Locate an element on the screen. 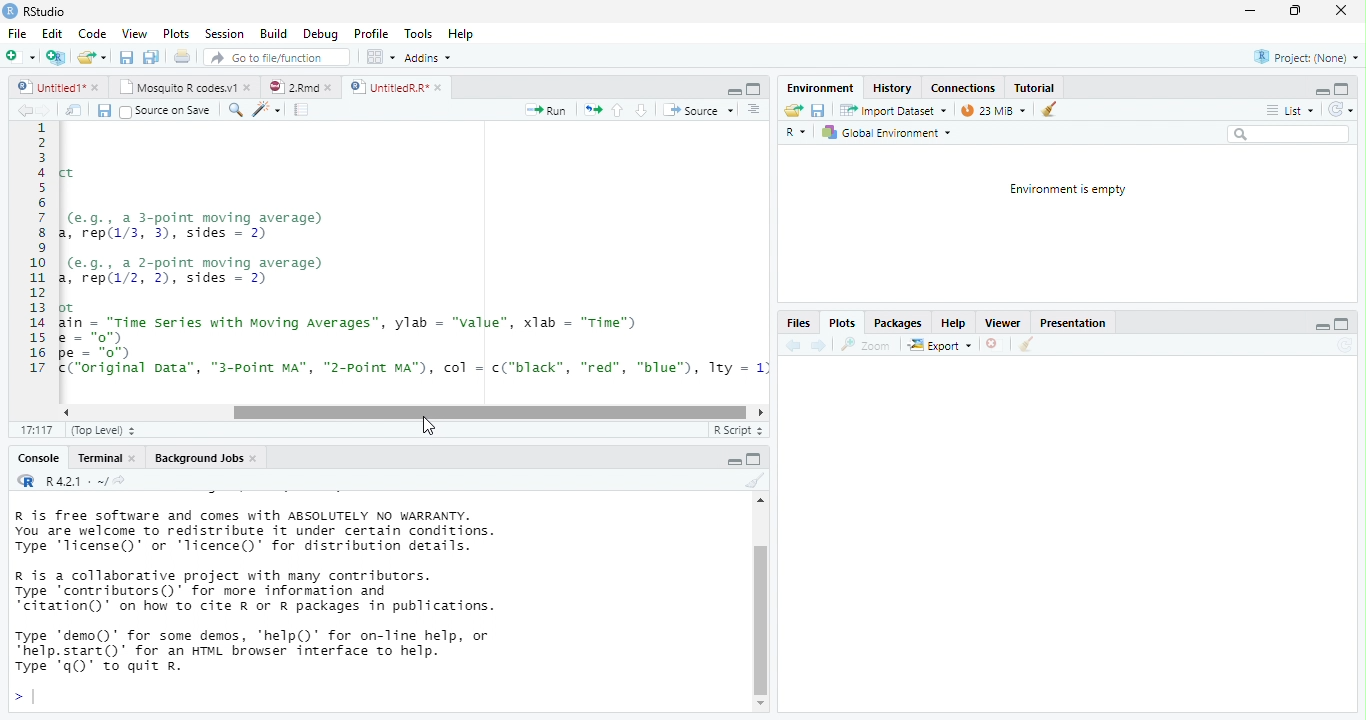  R is located at coordinates (798, 134).